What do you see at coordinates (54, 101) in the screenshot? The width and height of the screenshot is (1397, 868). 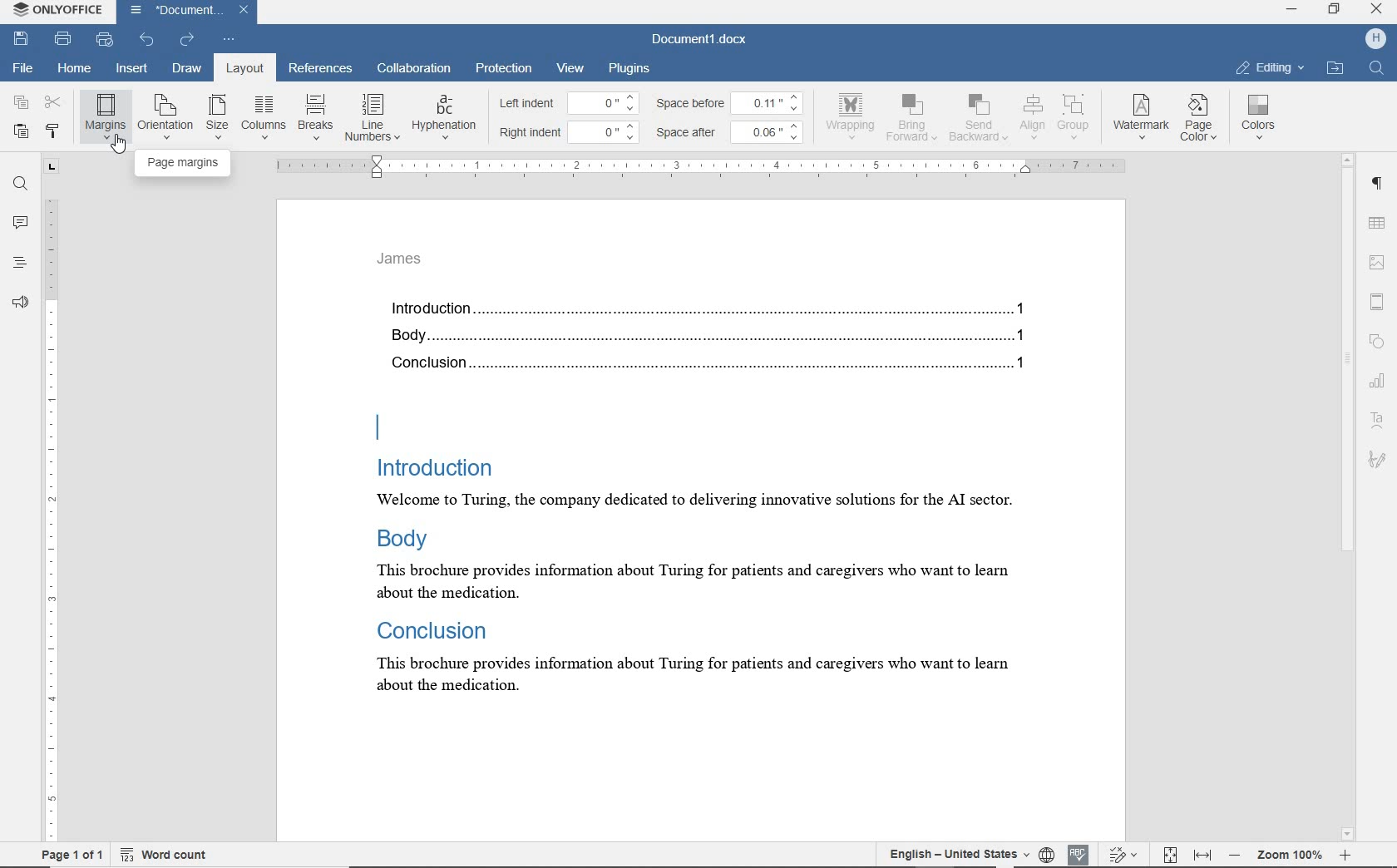 I see `cut` at bounding box center [54, 101].